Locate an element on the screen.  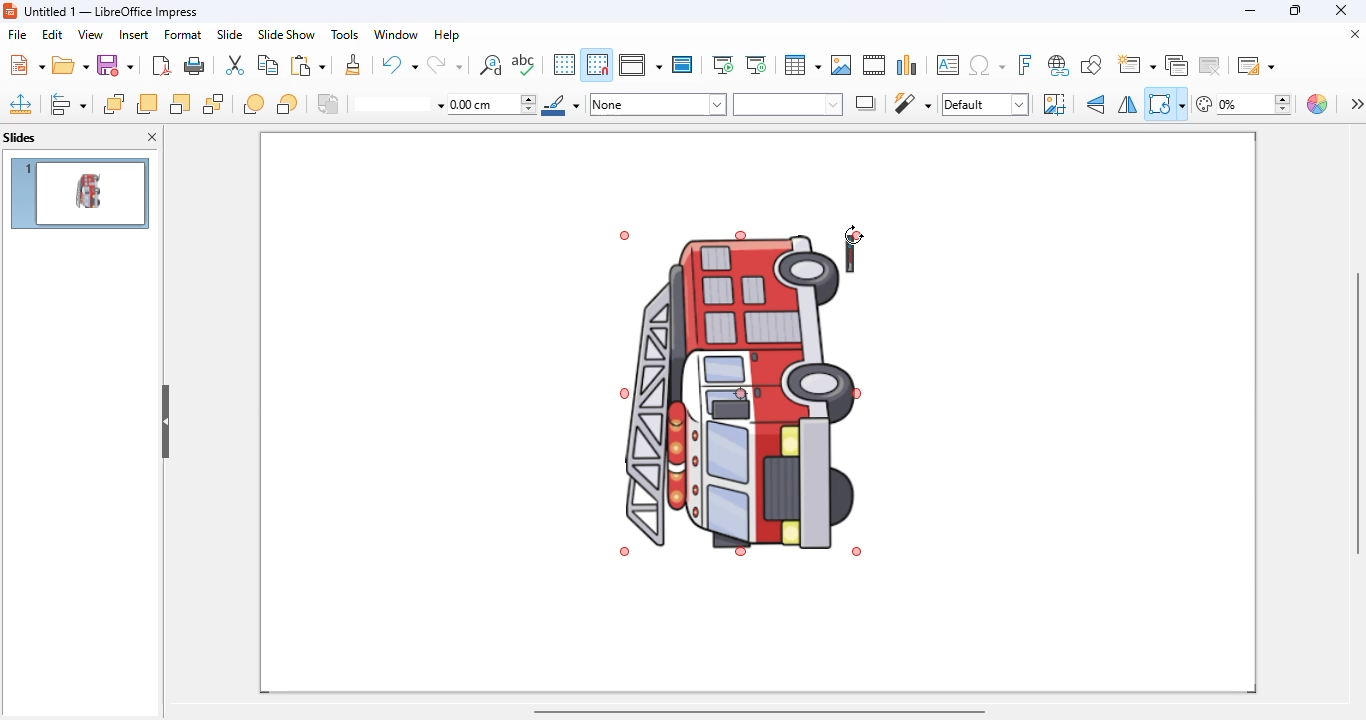
insert is located at coordinates (134, 35).